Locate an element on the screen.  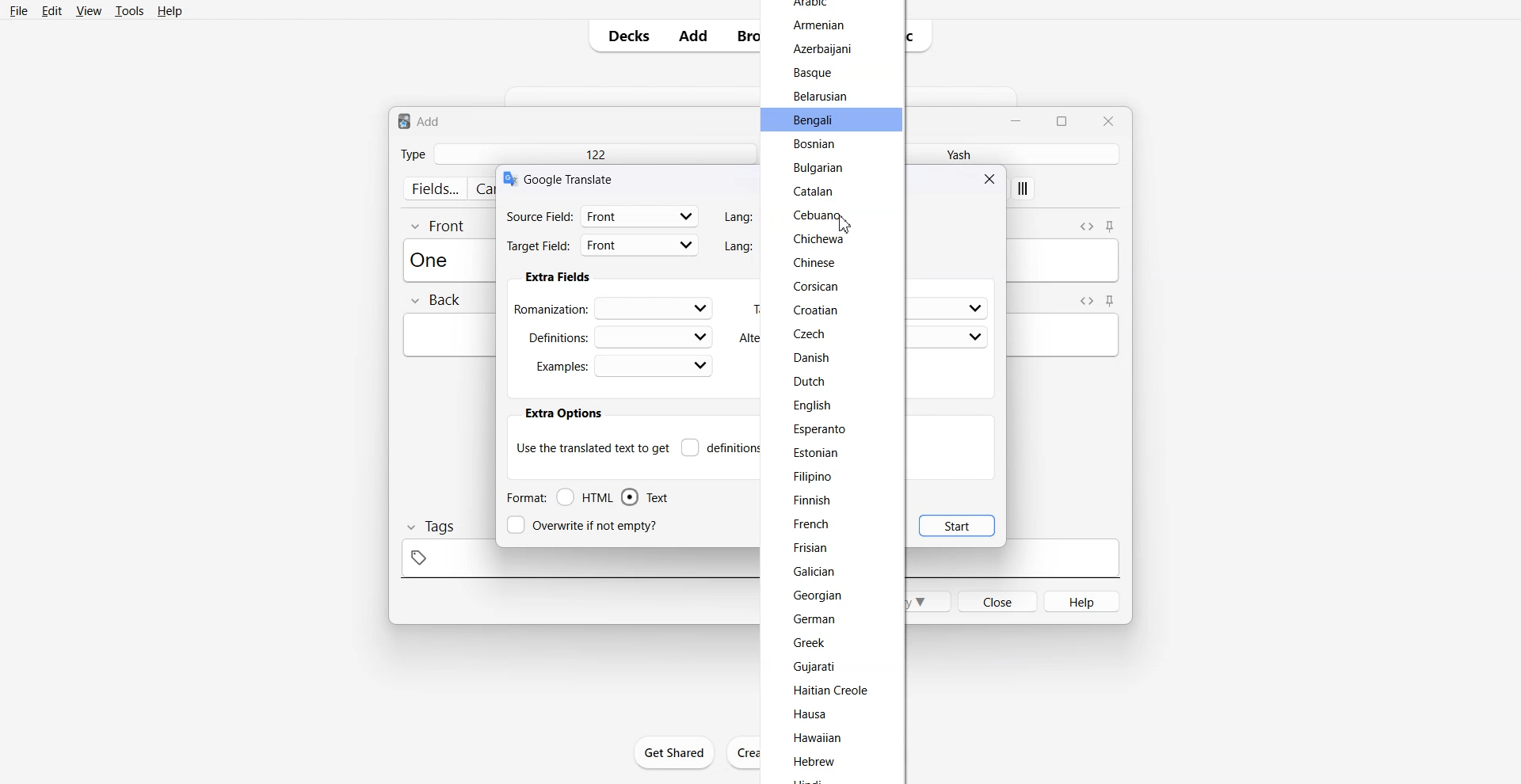
Greek is located at coordinates (810, 645).